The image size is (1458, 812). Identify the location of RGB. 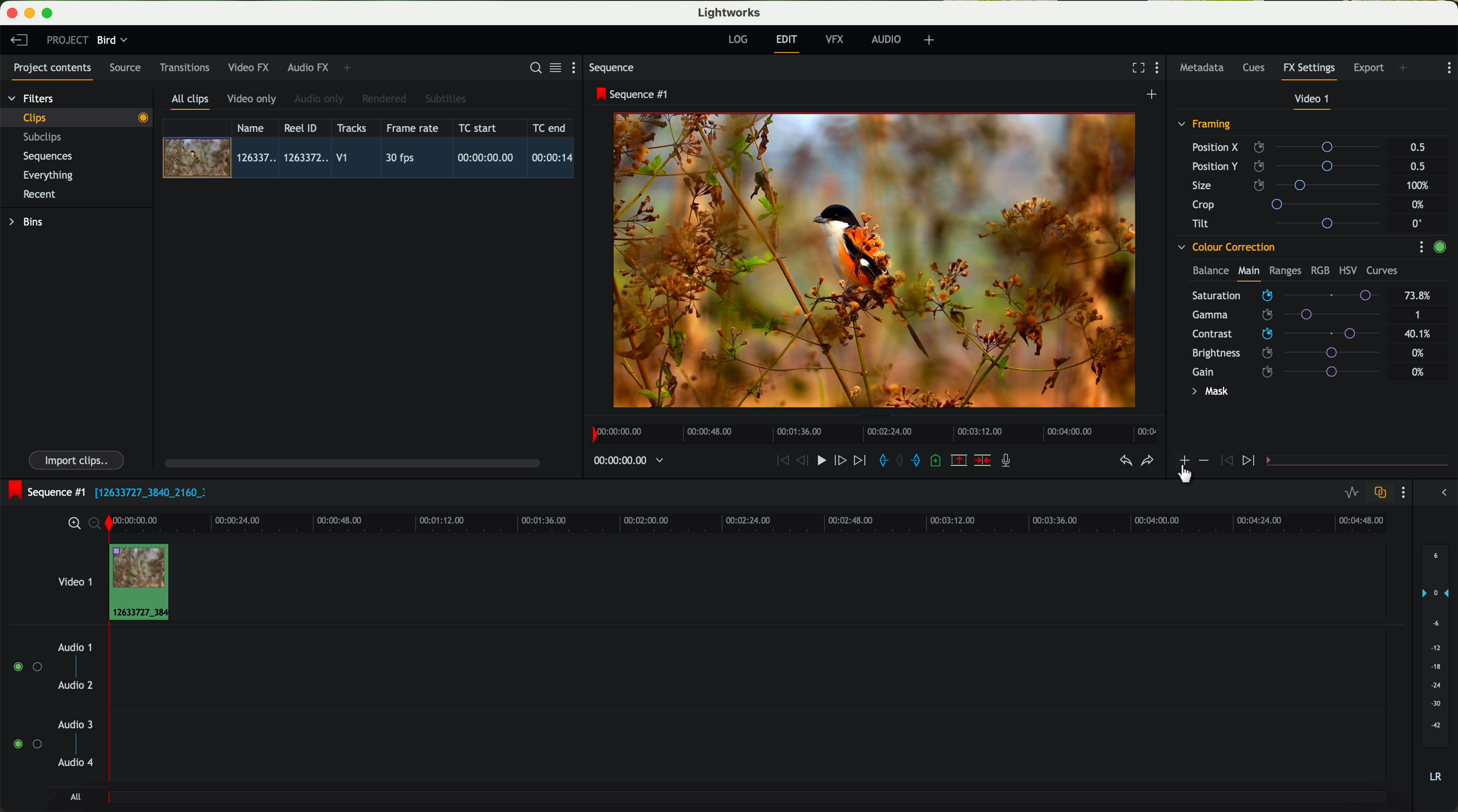
(1319, 269).